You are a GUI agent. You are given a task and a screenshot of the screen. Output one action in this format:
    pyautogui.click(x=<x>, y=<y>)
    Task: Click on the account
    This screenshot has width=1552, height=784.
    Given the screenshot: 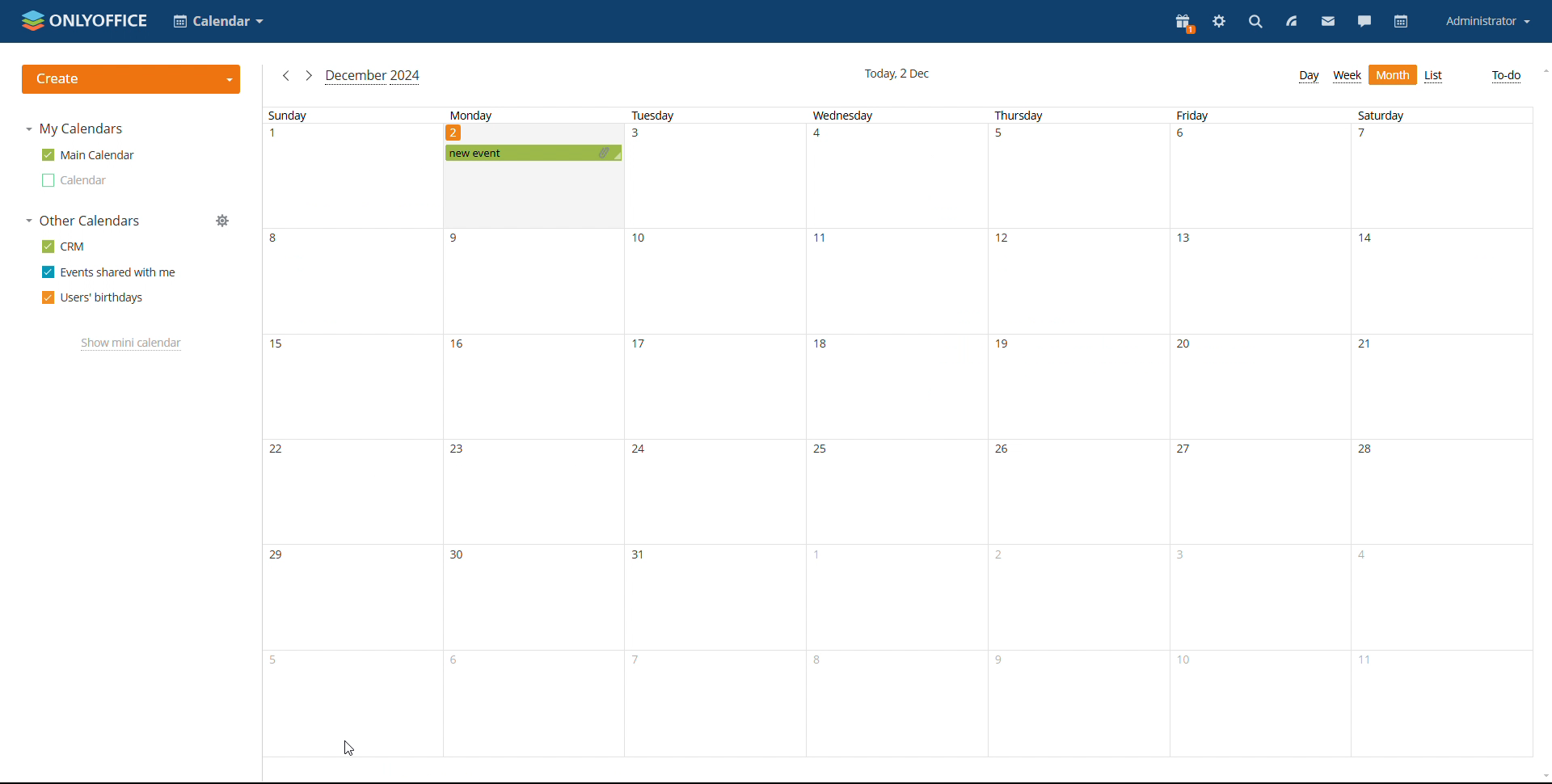 What is the action you would take?
    pyautogui.click(x=1488, y=23)
    